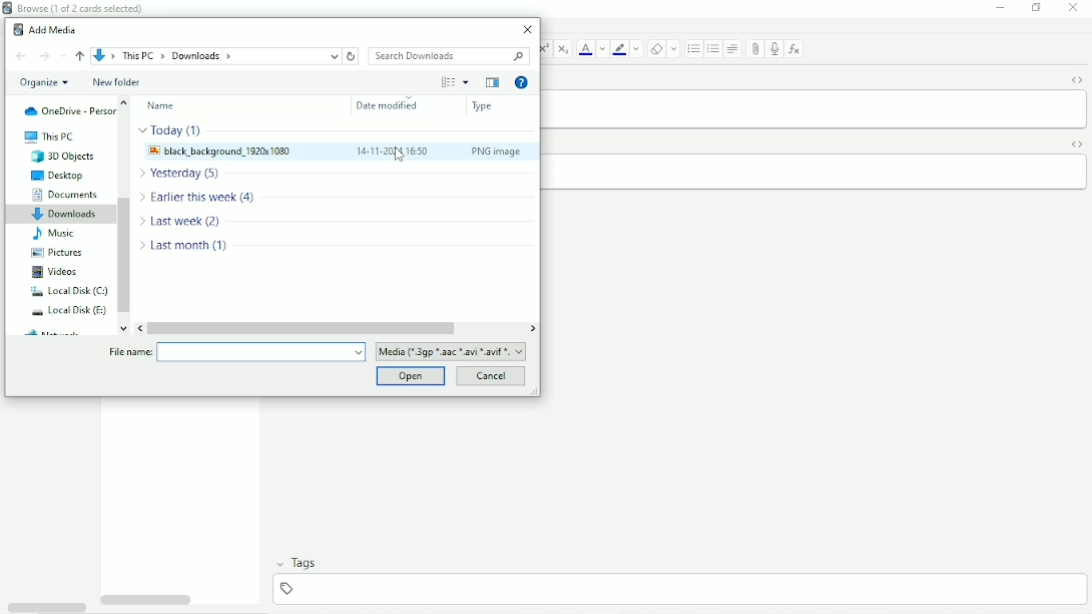  What do you see at coordinates (713, 49) in the screenshot?
I see `Ordered list` at bounding box center [713, 49].